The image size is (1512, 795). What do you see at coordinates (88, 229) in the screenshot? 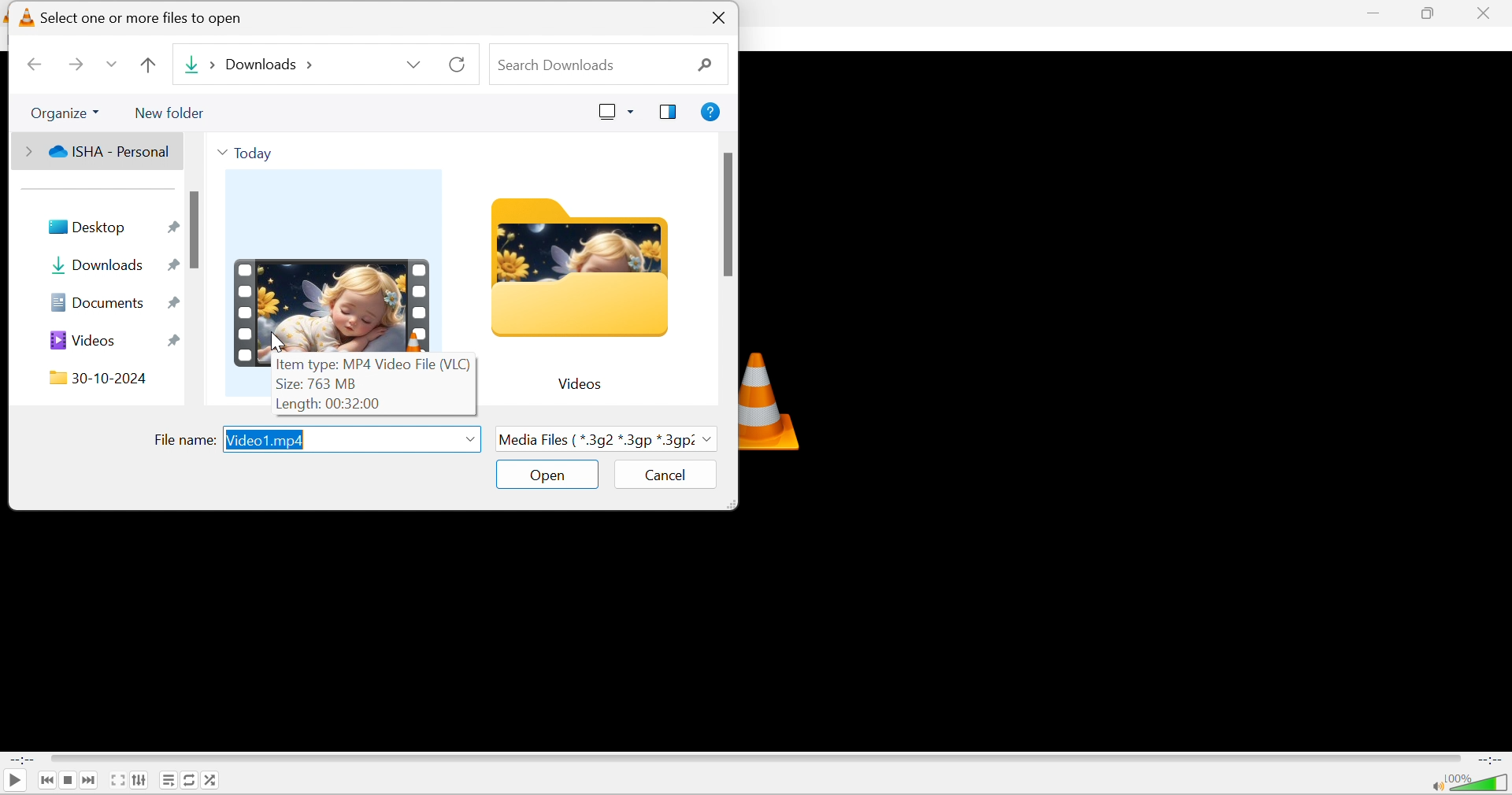
I see `Desktop` at bounding box center [88, 229].